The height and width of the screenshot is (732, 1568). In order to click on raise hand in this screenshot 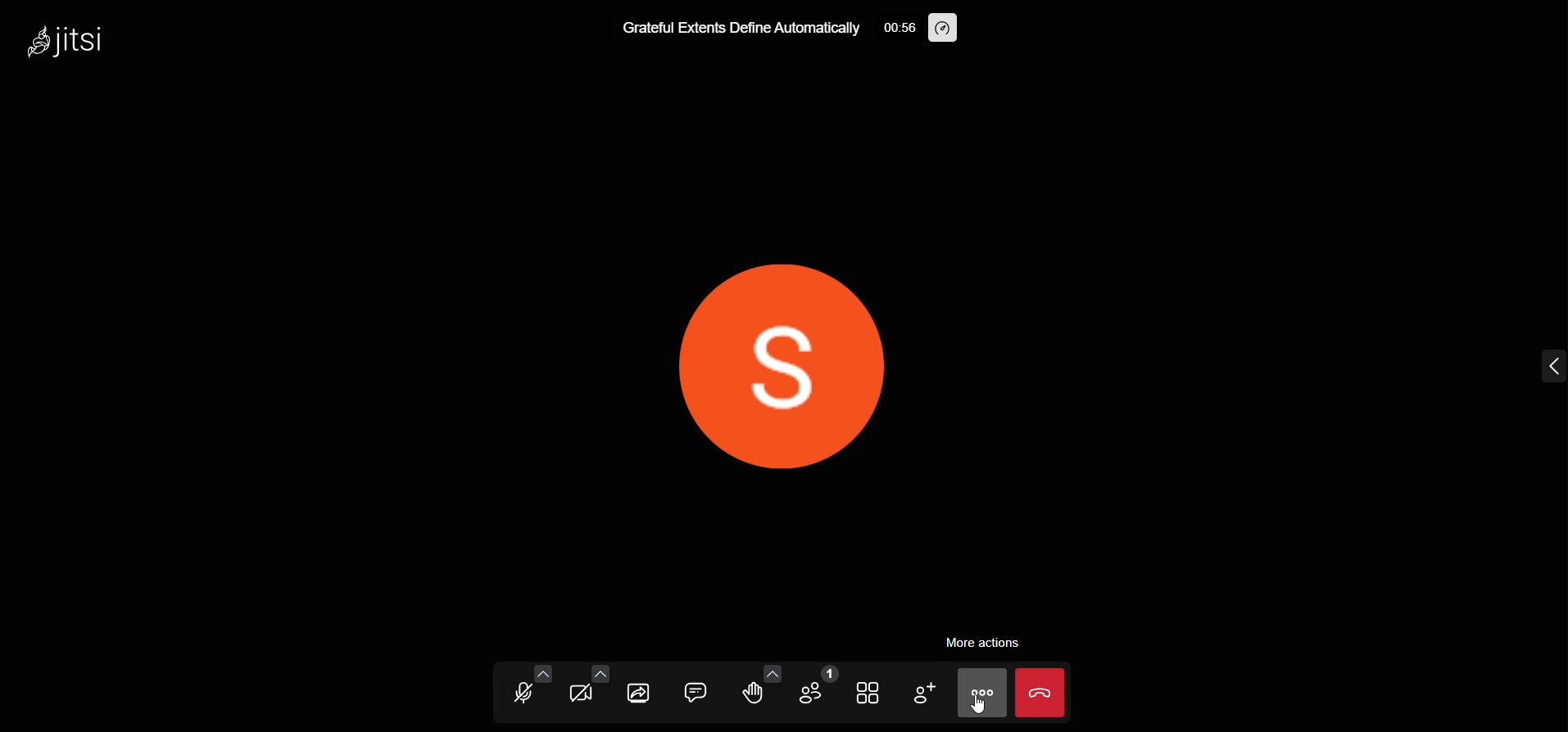, I will do `click(754, 697)`.